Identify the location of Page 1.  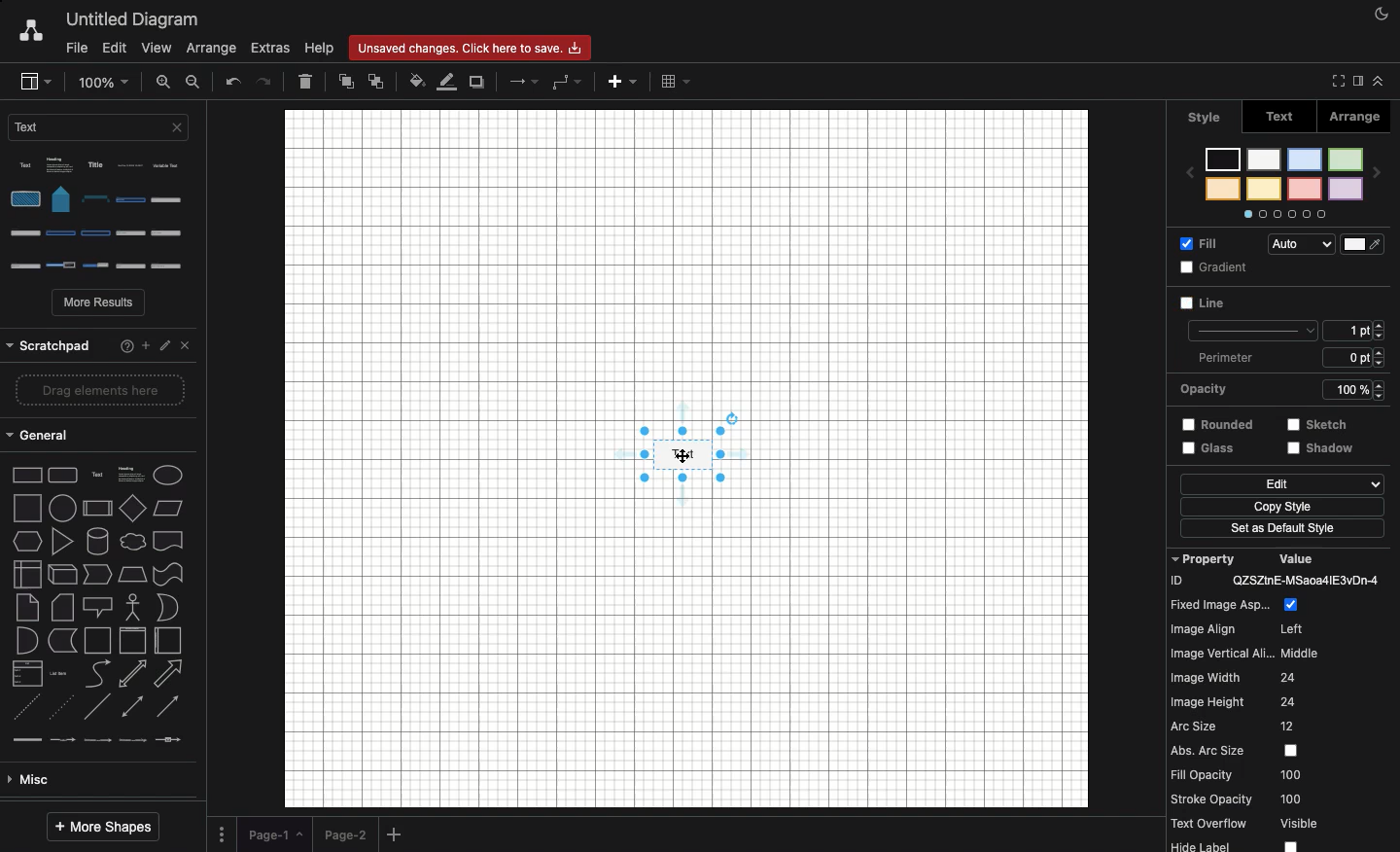
(274, 832).